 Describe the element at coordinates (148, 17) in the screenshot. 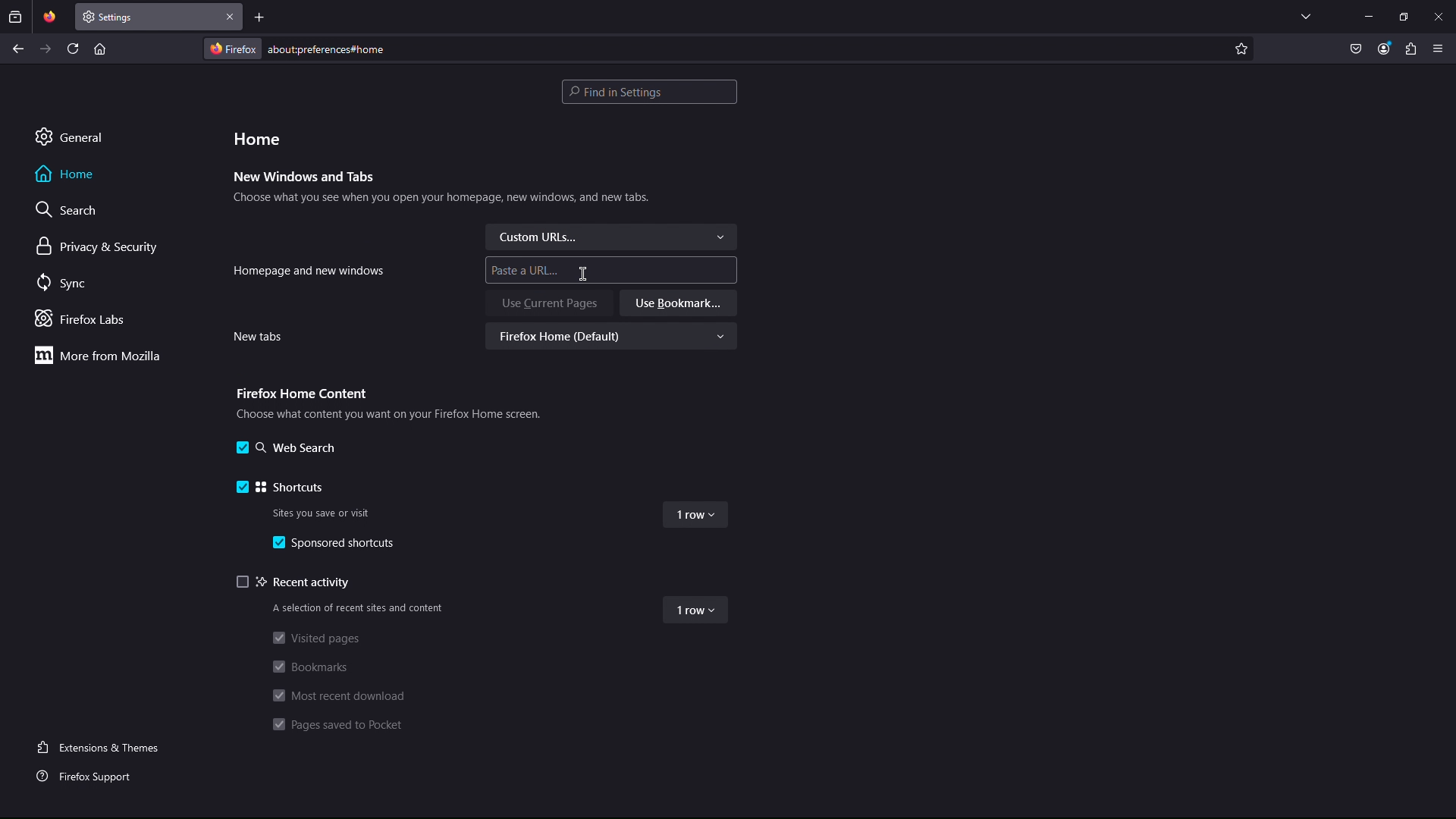

I see `New Tab` at that location.